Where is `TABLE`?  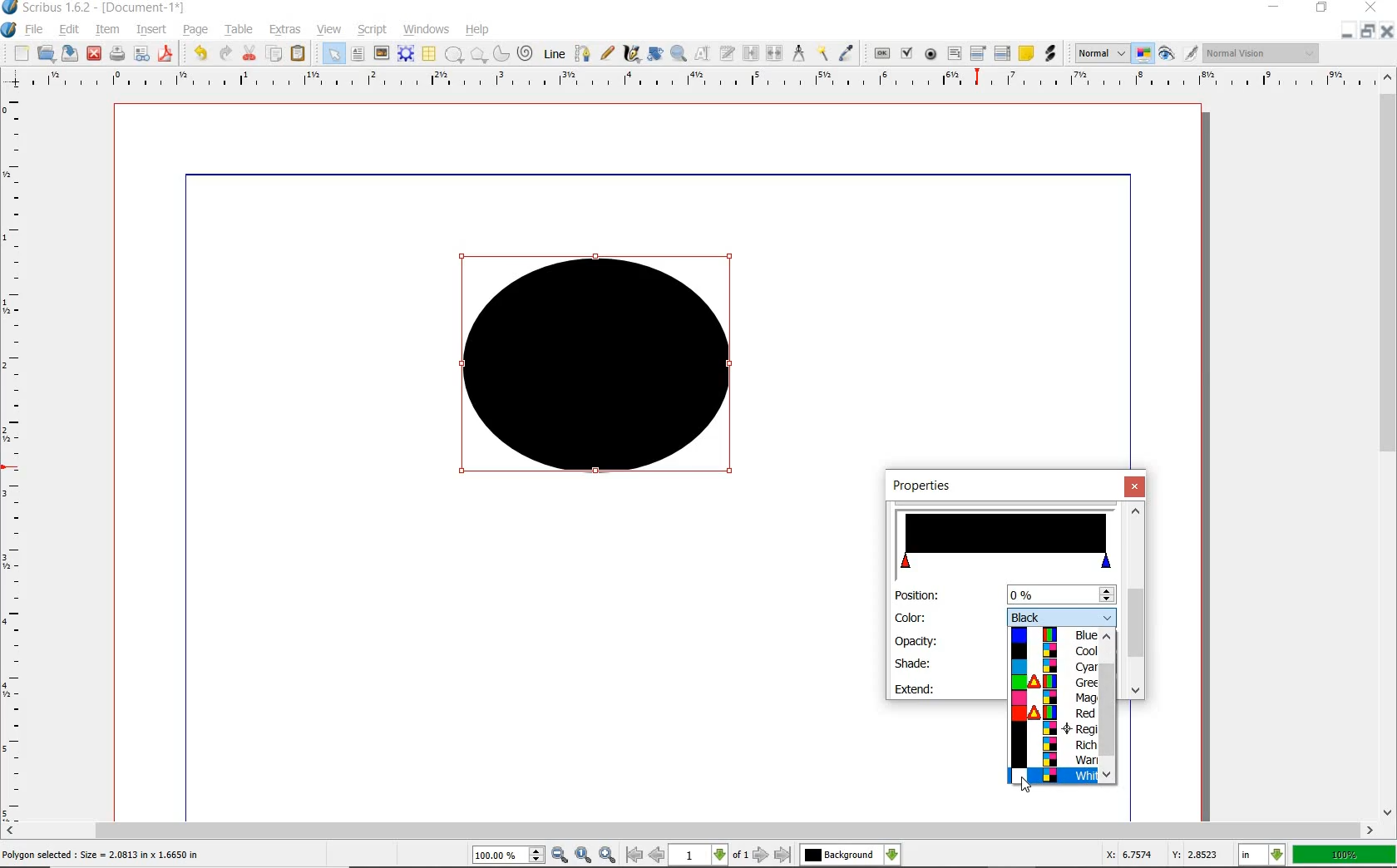 TABLE is located at coordinates (239, 30).